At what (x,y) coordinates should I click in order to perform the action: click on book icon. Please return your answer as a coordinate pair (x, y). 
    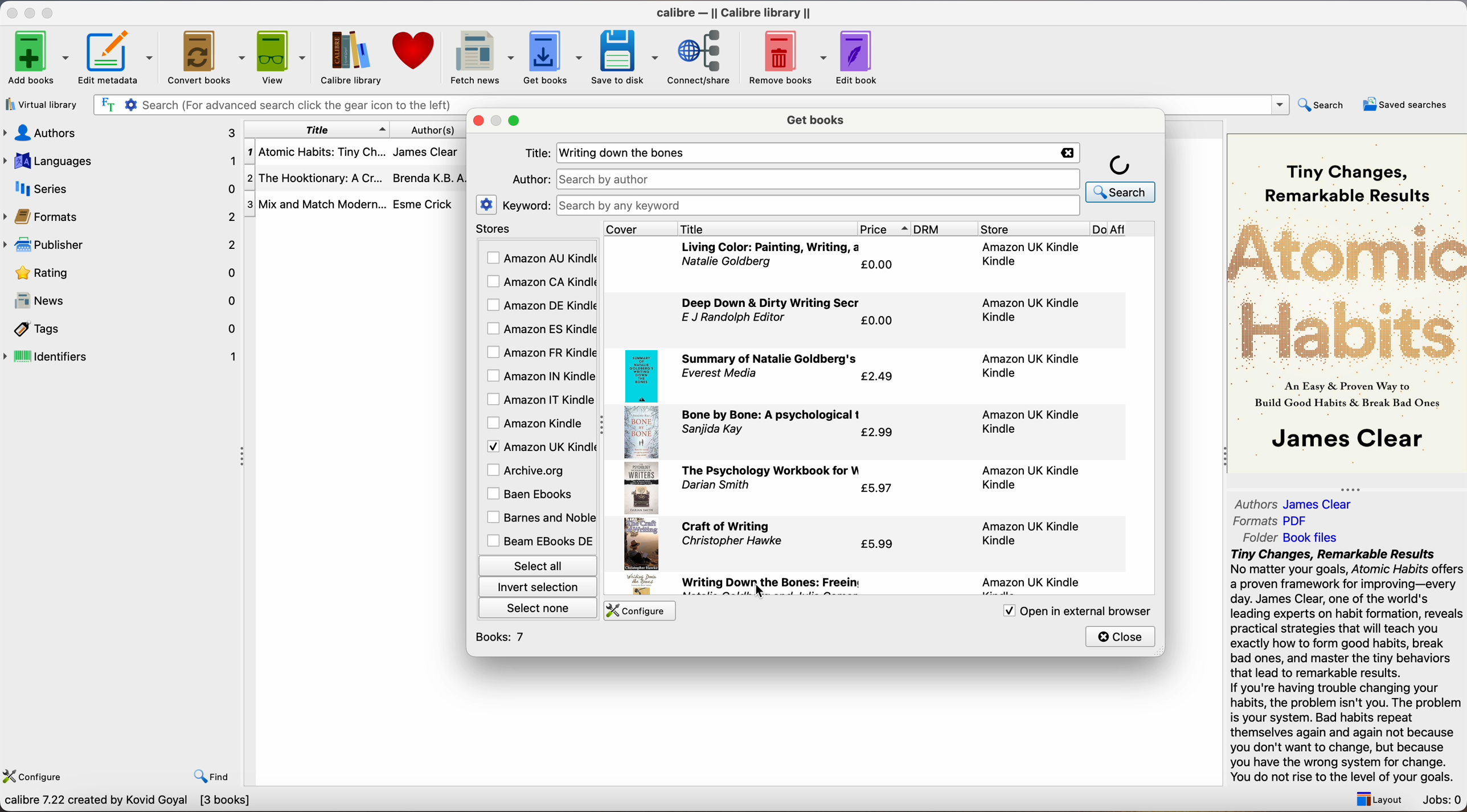
    Looking at the image, I should click on (641, 489).